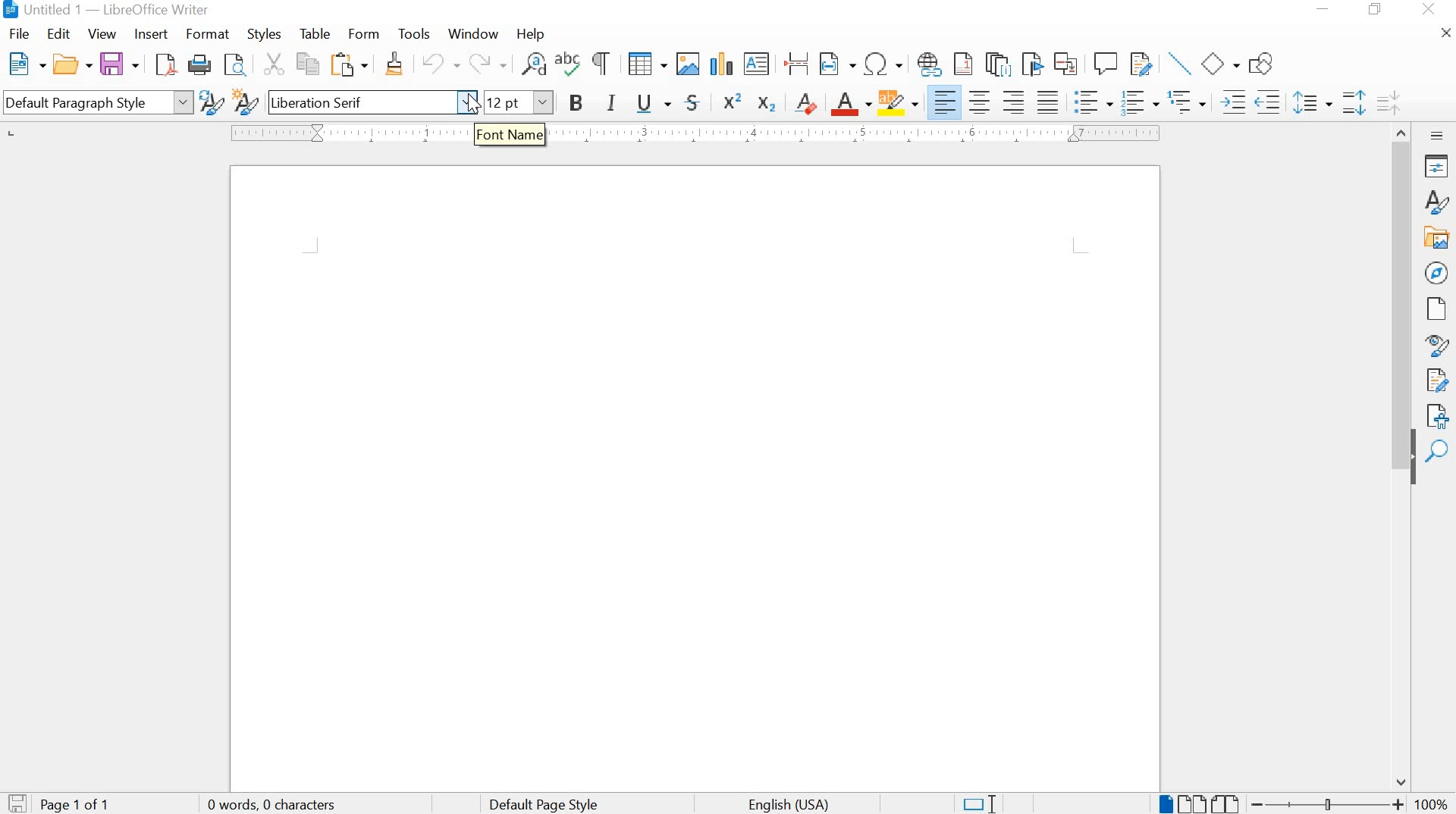 The image size is (1456, 814). What do you see at coordinates (1437, 451) in the screenshot?
I see `FIND` at bounding box center [1437, 451].